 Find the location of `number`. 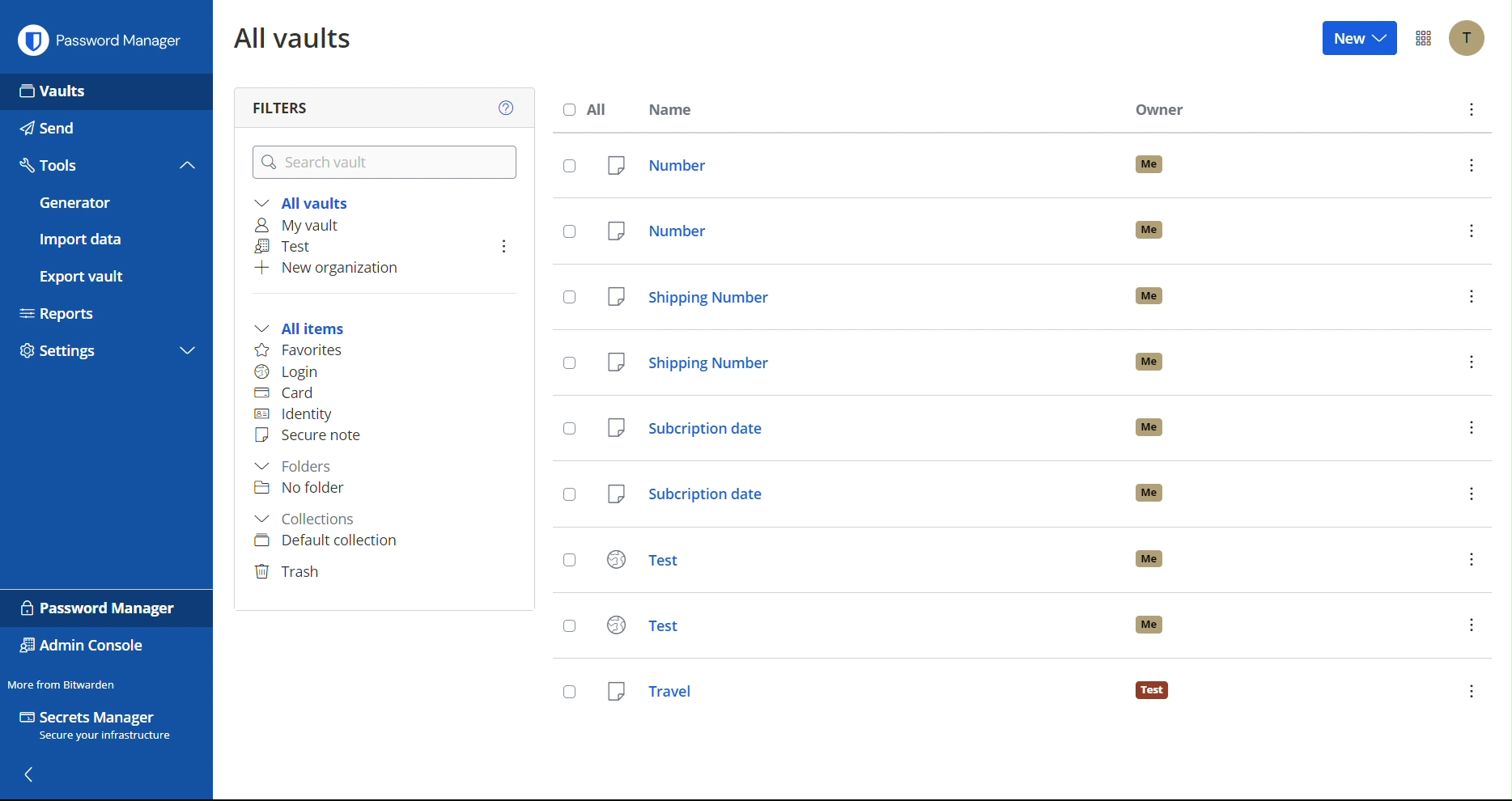

number is located at coordinates (852, 166).